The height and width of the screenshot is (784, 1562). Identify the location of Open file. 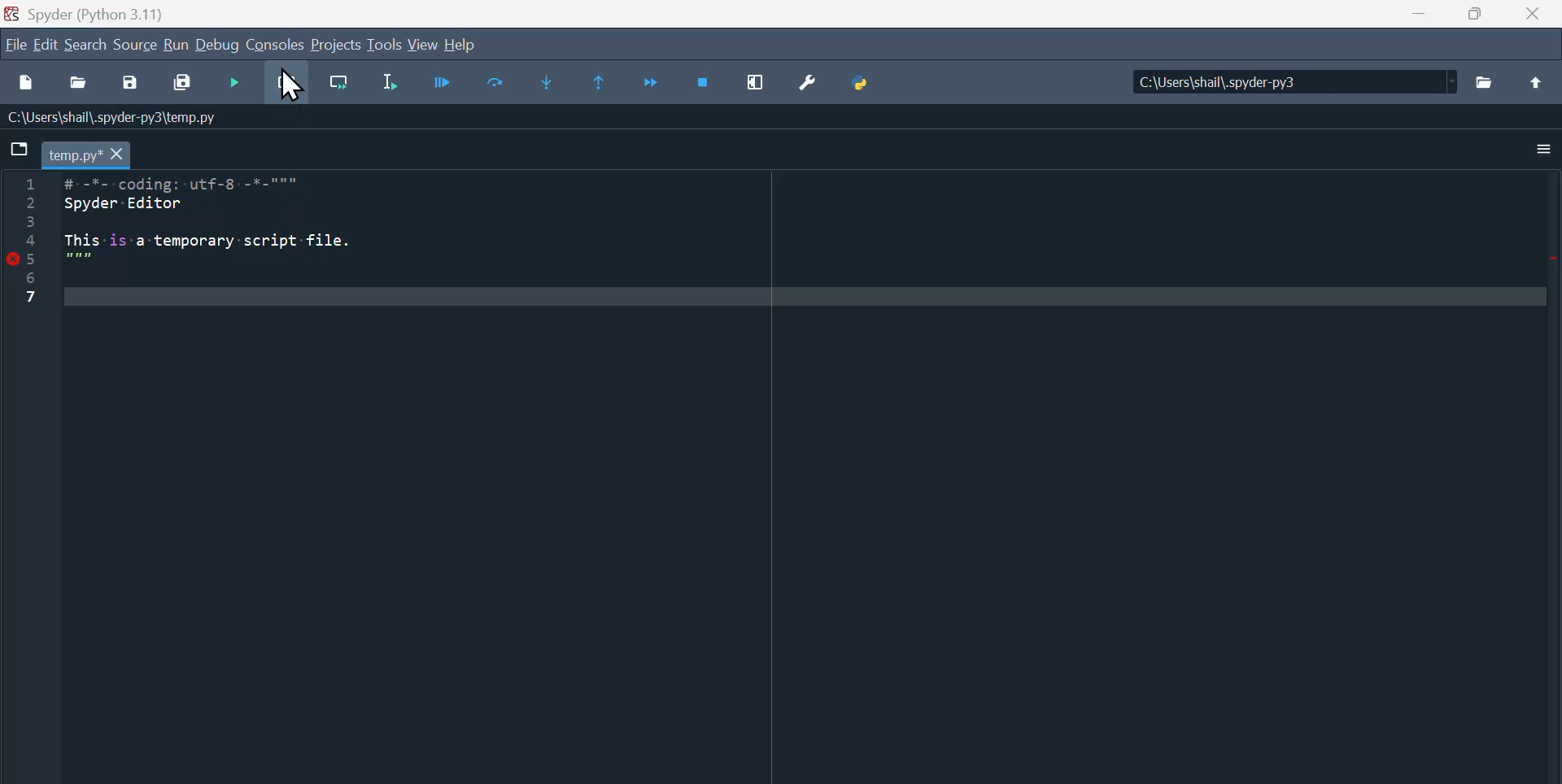
(78, 85).